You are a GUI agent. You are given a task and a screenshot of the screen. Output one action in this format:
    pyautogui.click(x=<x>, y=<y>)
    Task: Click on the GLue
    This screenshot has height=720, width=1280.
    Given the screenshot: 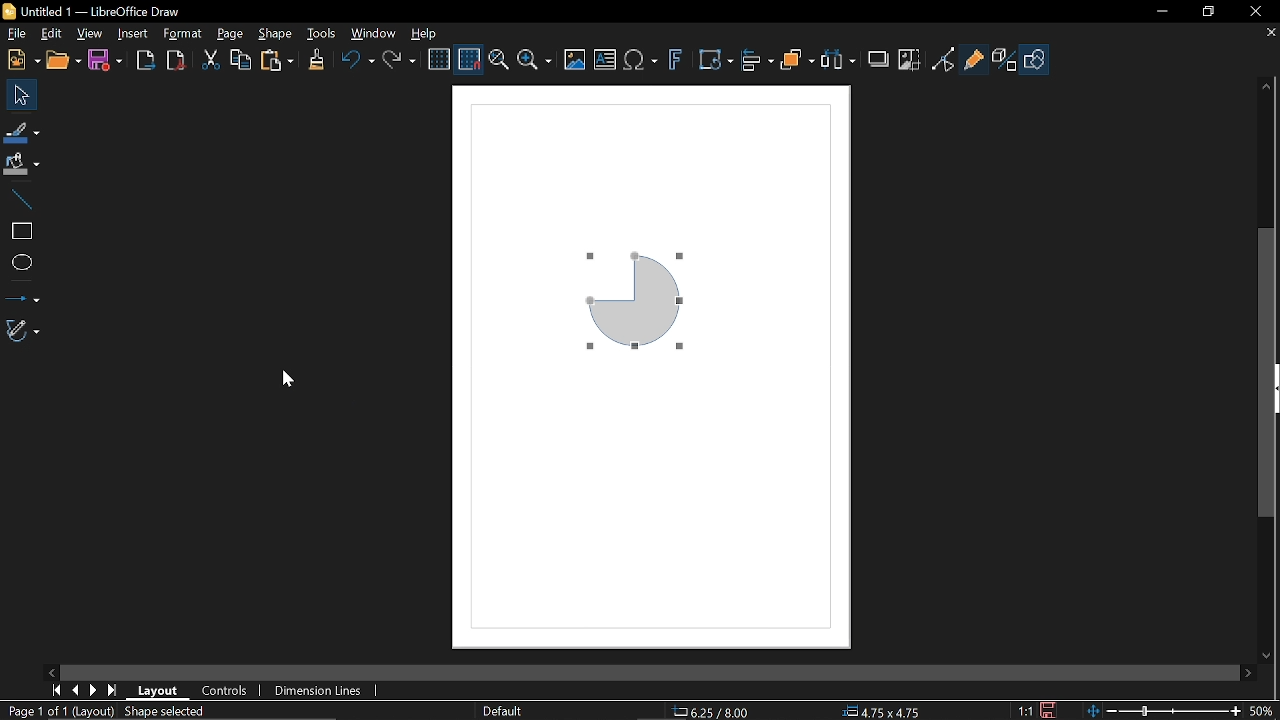 What is the action you would take?
    pyautogui.click(x=974, y=61)
    